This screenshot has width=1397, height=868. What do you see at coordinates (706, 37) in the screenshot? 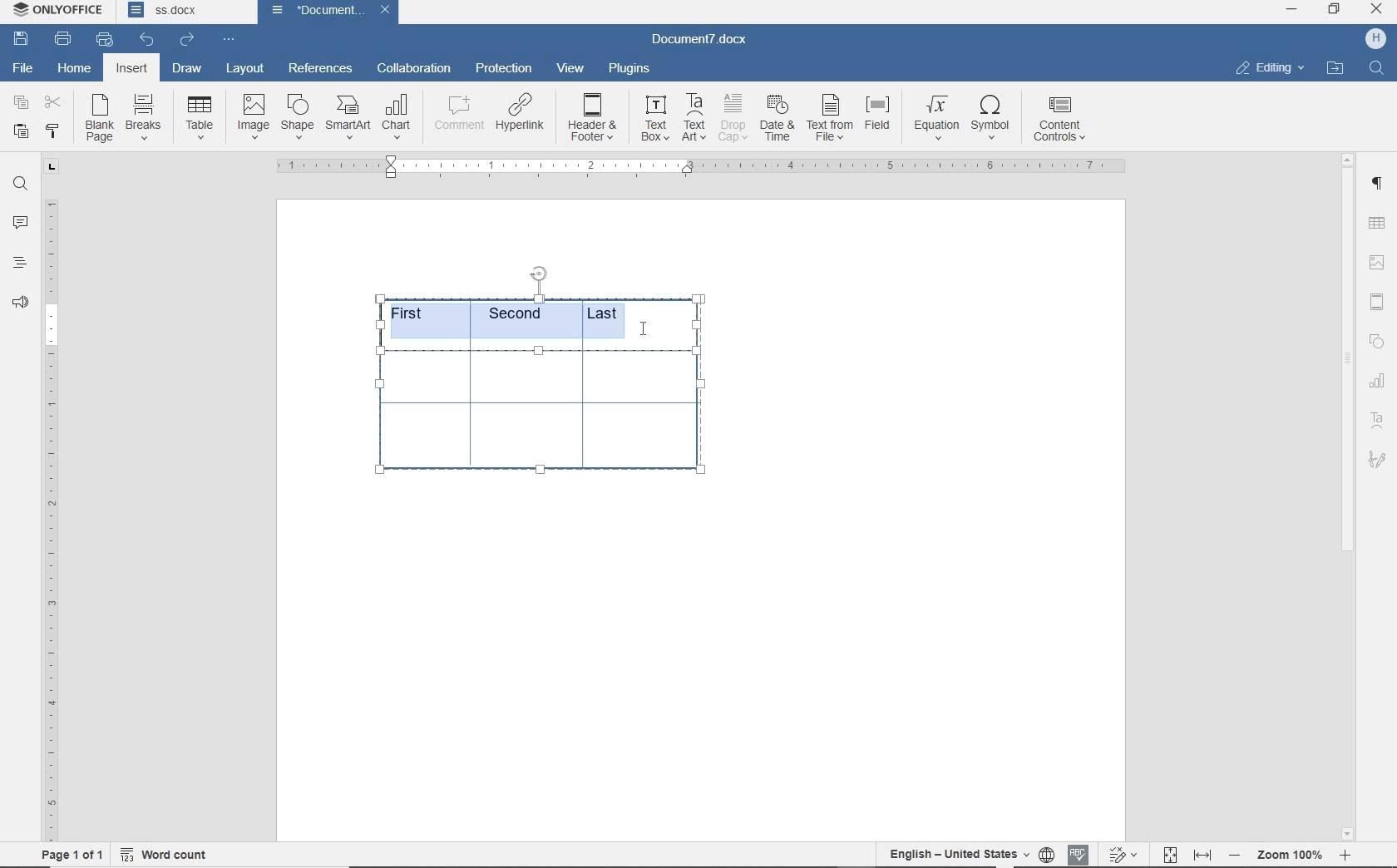
I see `document name` at bounding box center [706, 37].